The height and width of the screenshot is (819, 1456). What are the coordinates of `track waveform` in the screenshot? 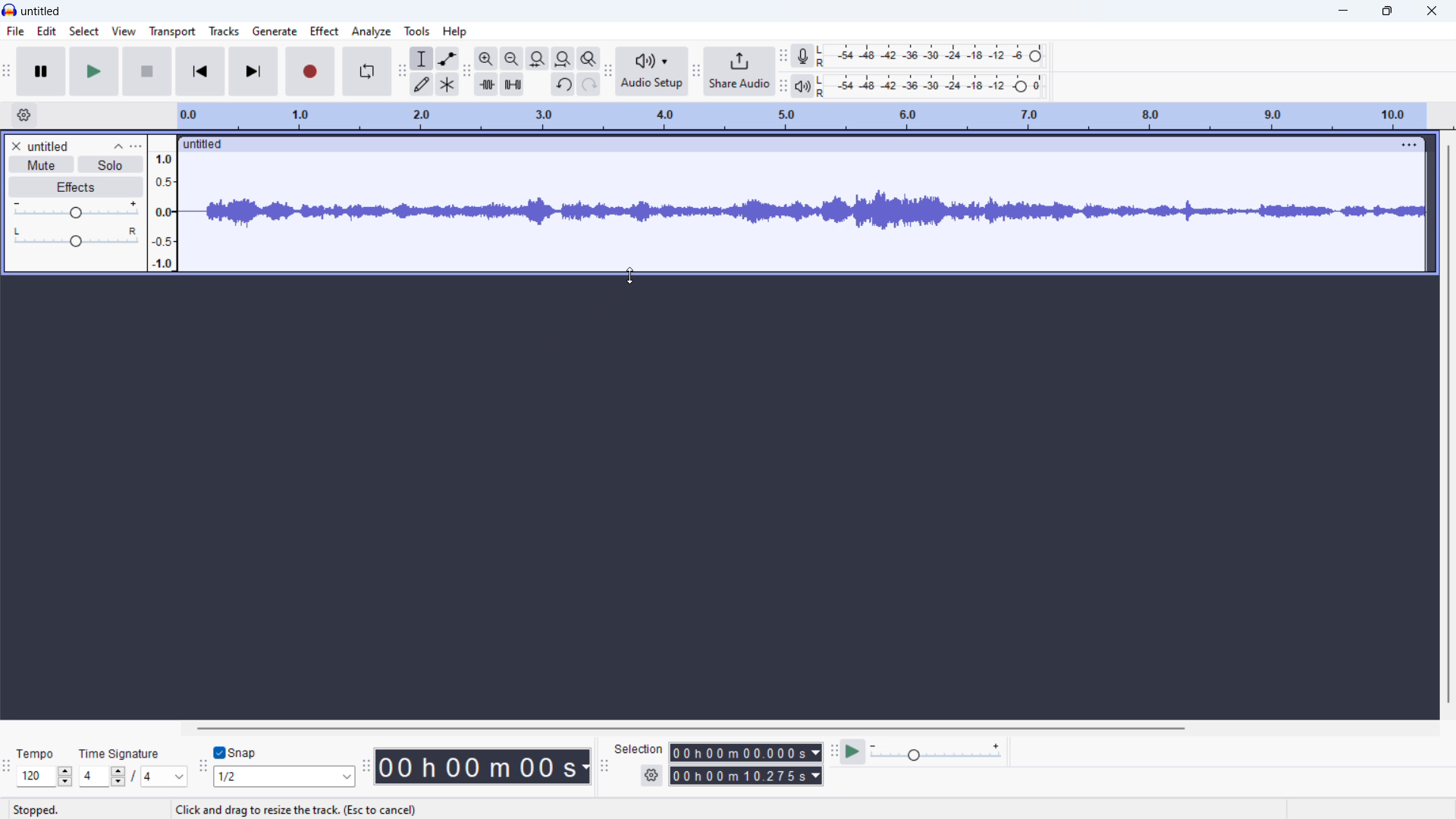 It's located at (800, 211).